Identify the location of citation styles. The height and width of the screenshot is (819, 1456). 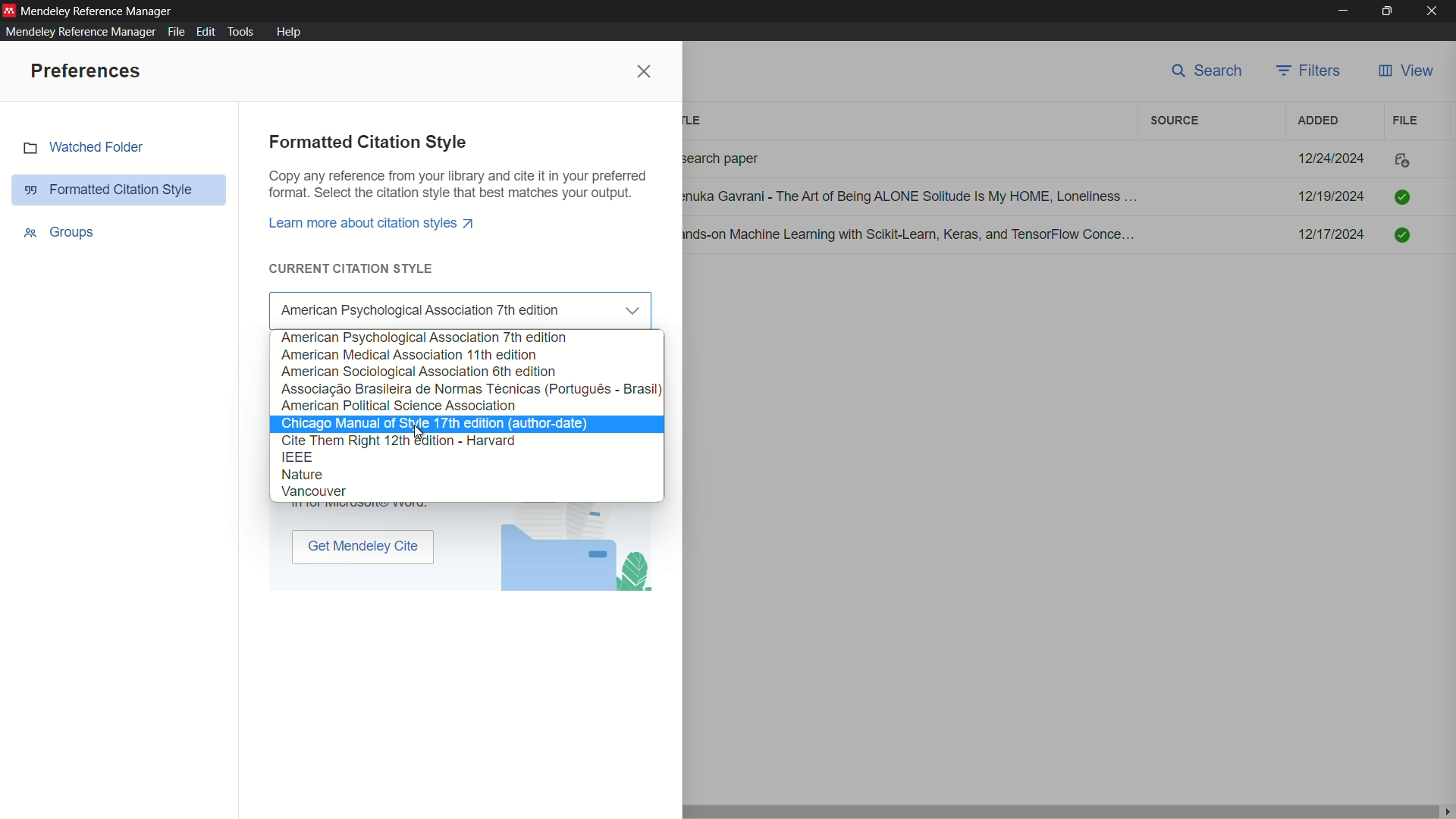
(424, 369).